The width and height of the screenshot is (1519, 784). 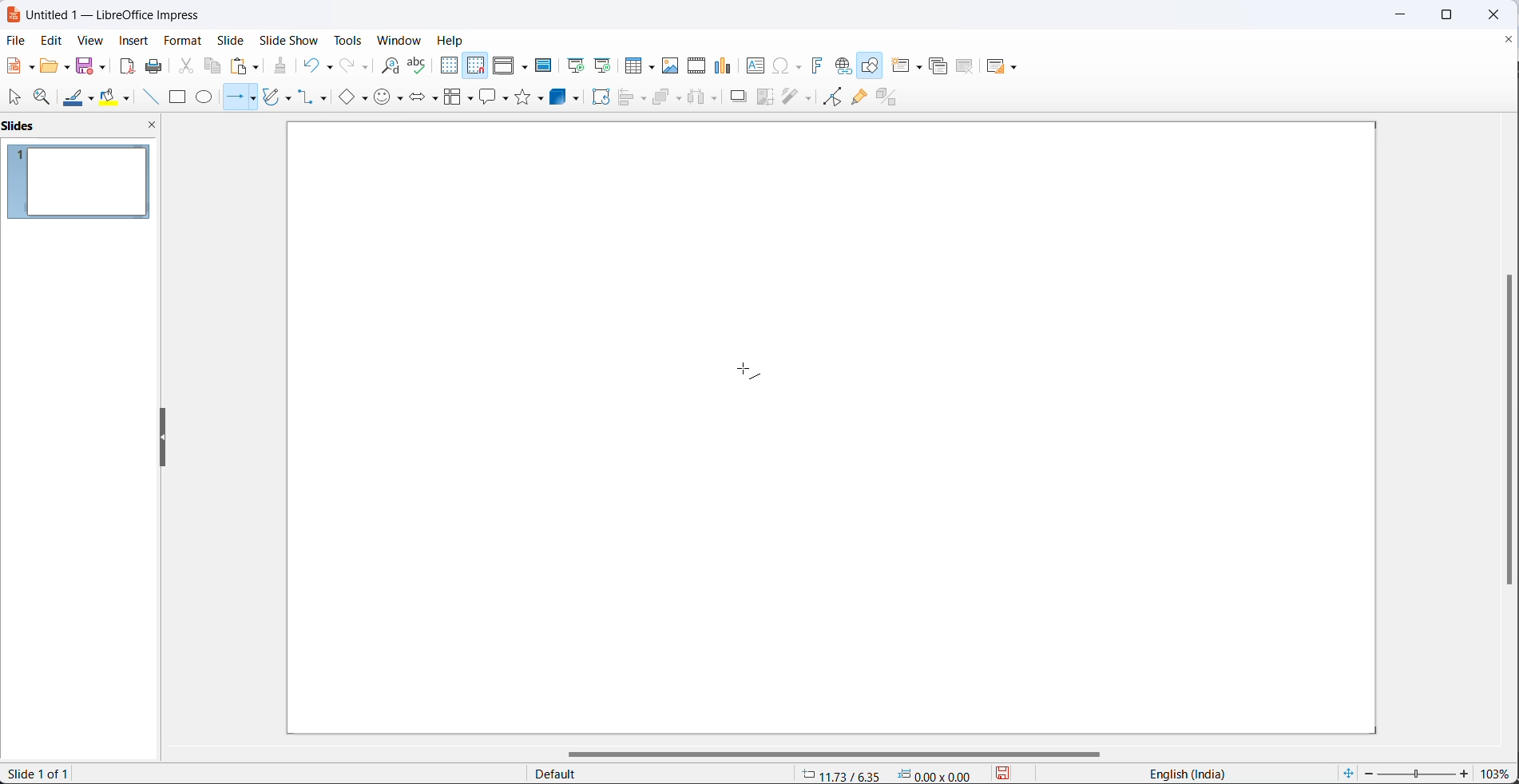 I want to click on scroll bar, so click(x=1503, y=430).